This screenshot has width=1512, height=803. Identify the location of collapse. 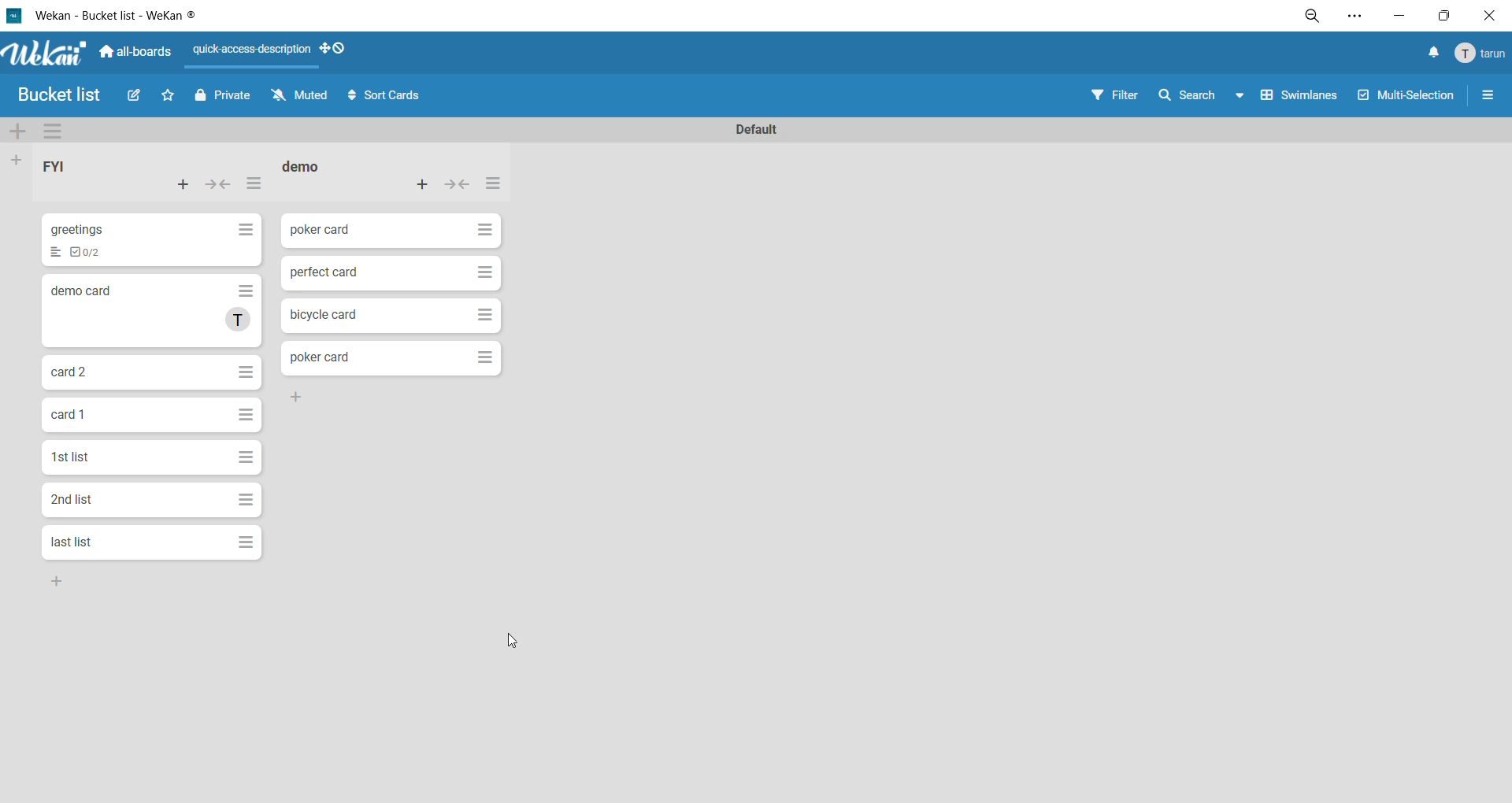
(458, 187).